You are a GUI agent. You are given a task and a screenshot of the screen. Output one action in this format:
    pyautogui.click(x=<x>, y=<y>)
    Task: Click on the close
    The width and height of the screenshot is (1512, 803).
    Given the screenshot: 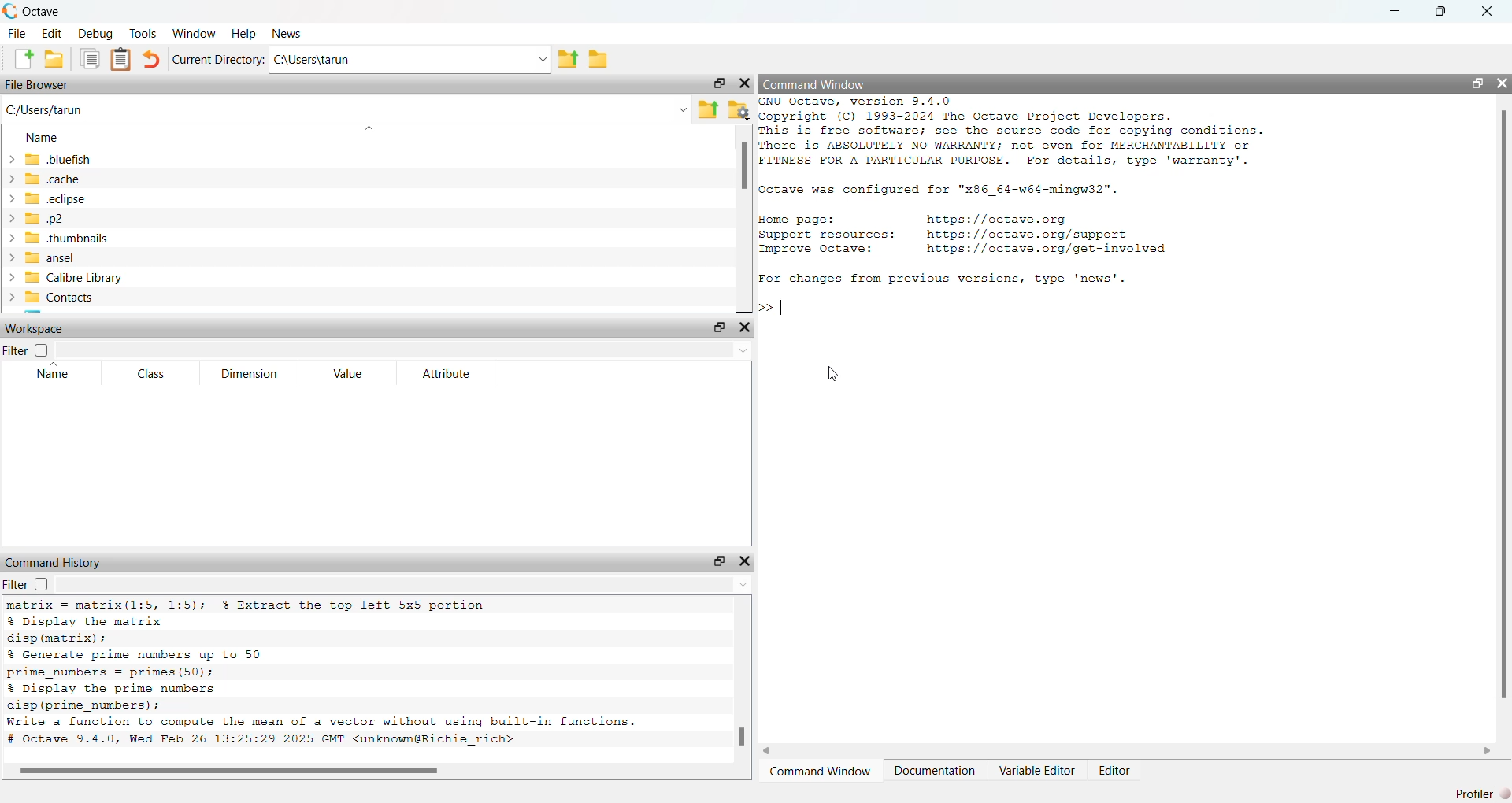 What is the action you would take?
    pyautogui.click(x=746, y=327)
    